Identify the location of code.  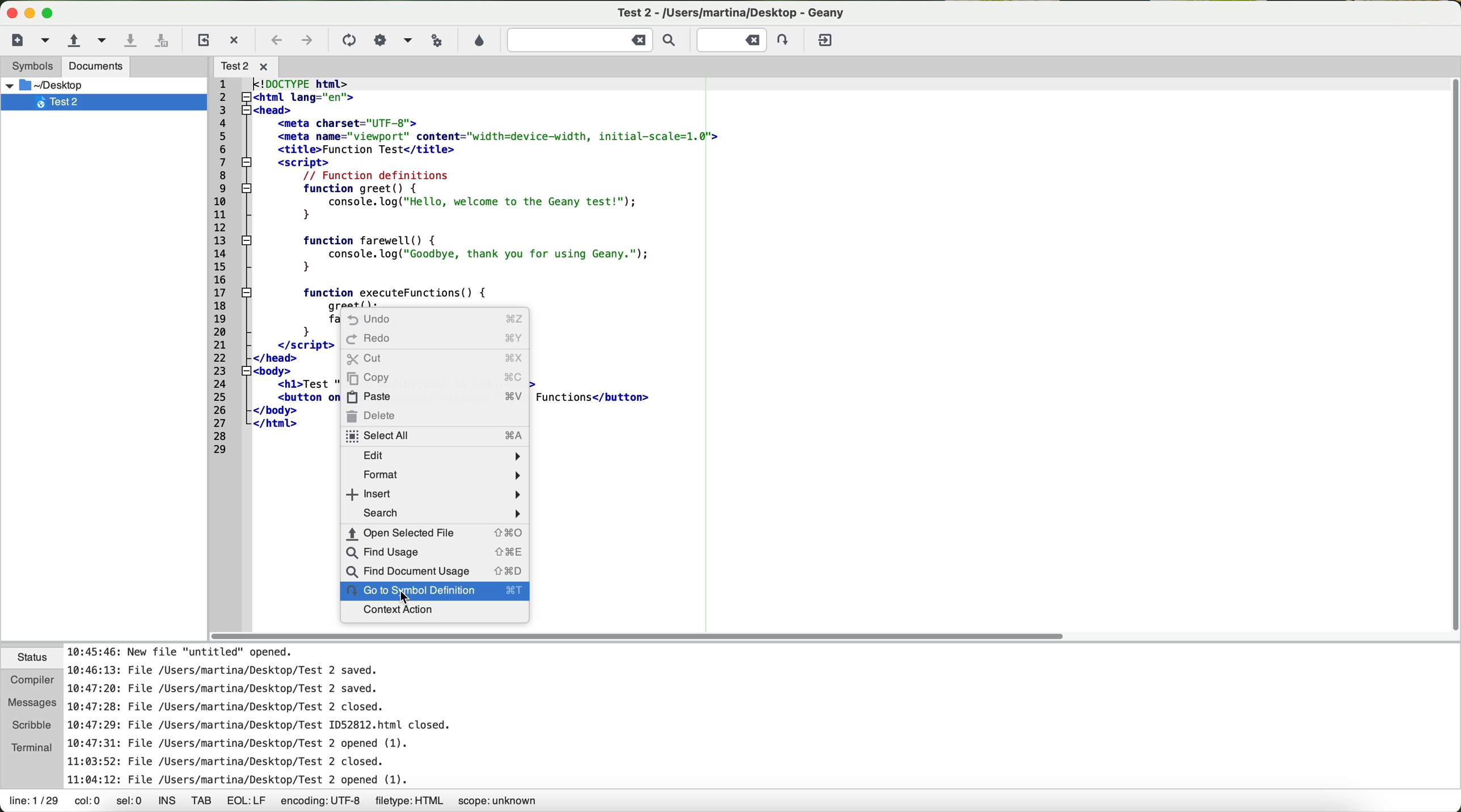
(264, 382).